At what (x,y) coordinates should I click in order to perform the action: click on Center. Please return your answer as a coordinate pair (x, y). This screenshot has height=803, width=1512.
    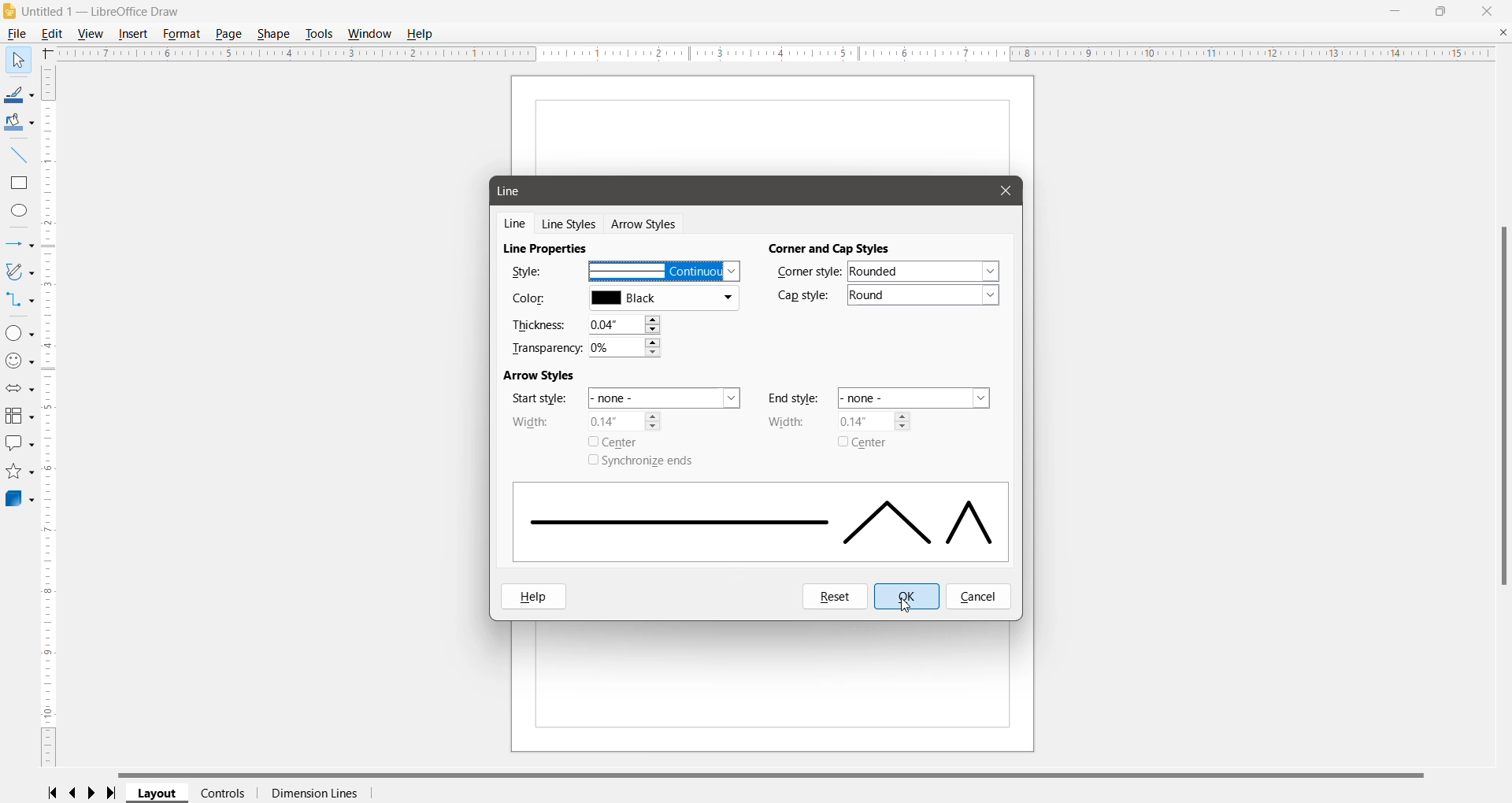
    Looking at the image, I should click on (618, 442).